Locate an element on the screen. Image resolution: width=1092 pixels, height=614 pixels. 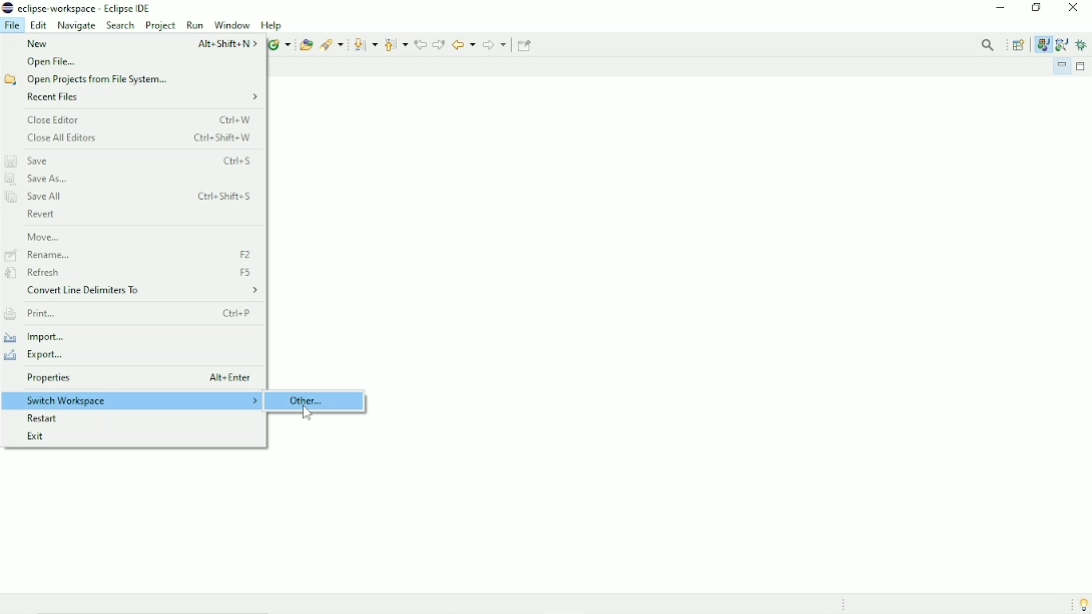
File is located at coordinates (12, 25).